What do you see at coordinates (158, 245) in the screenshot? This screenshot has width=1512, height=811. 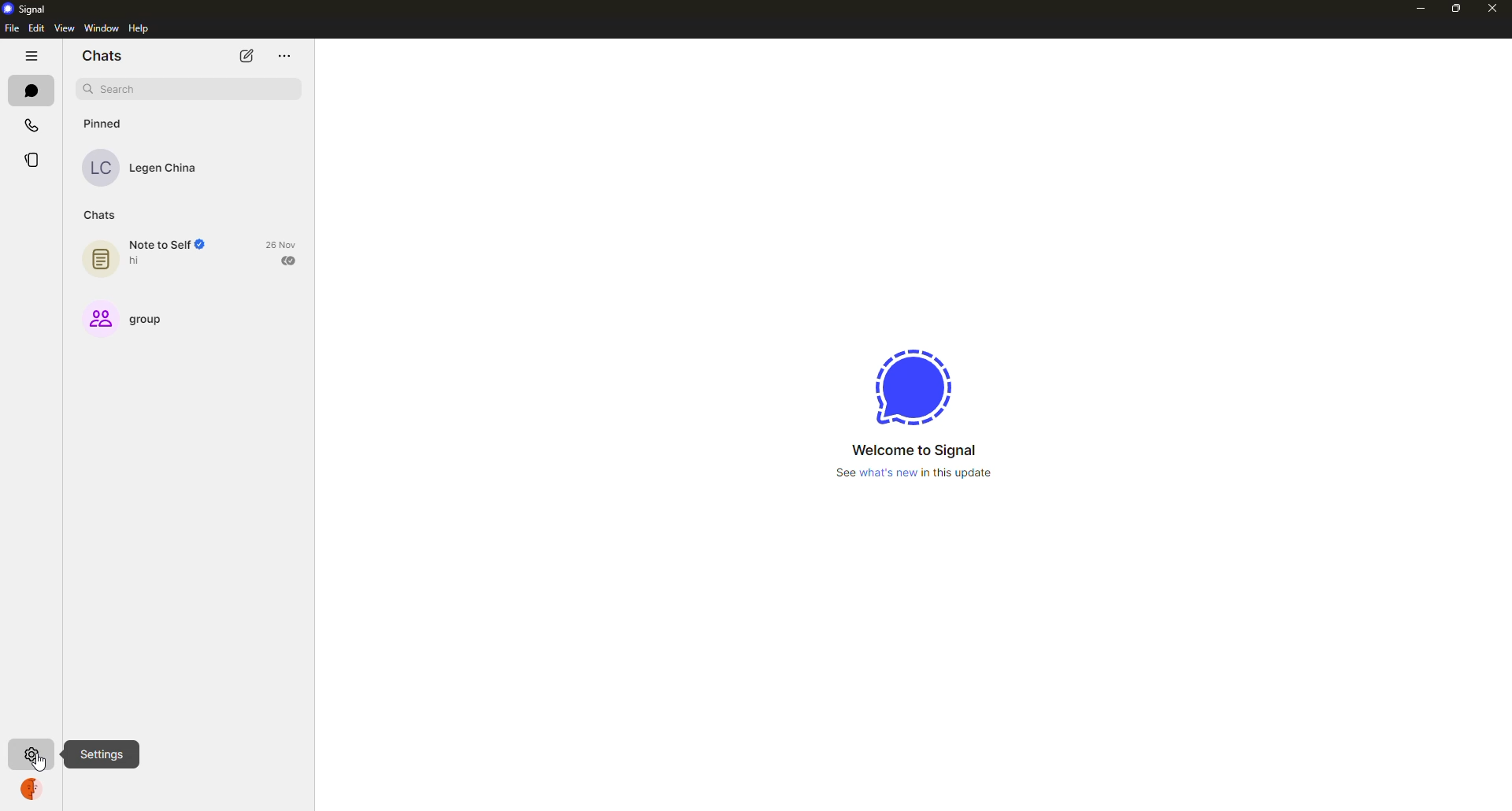 I see `Note to Self` at bounding box center [158, 245].